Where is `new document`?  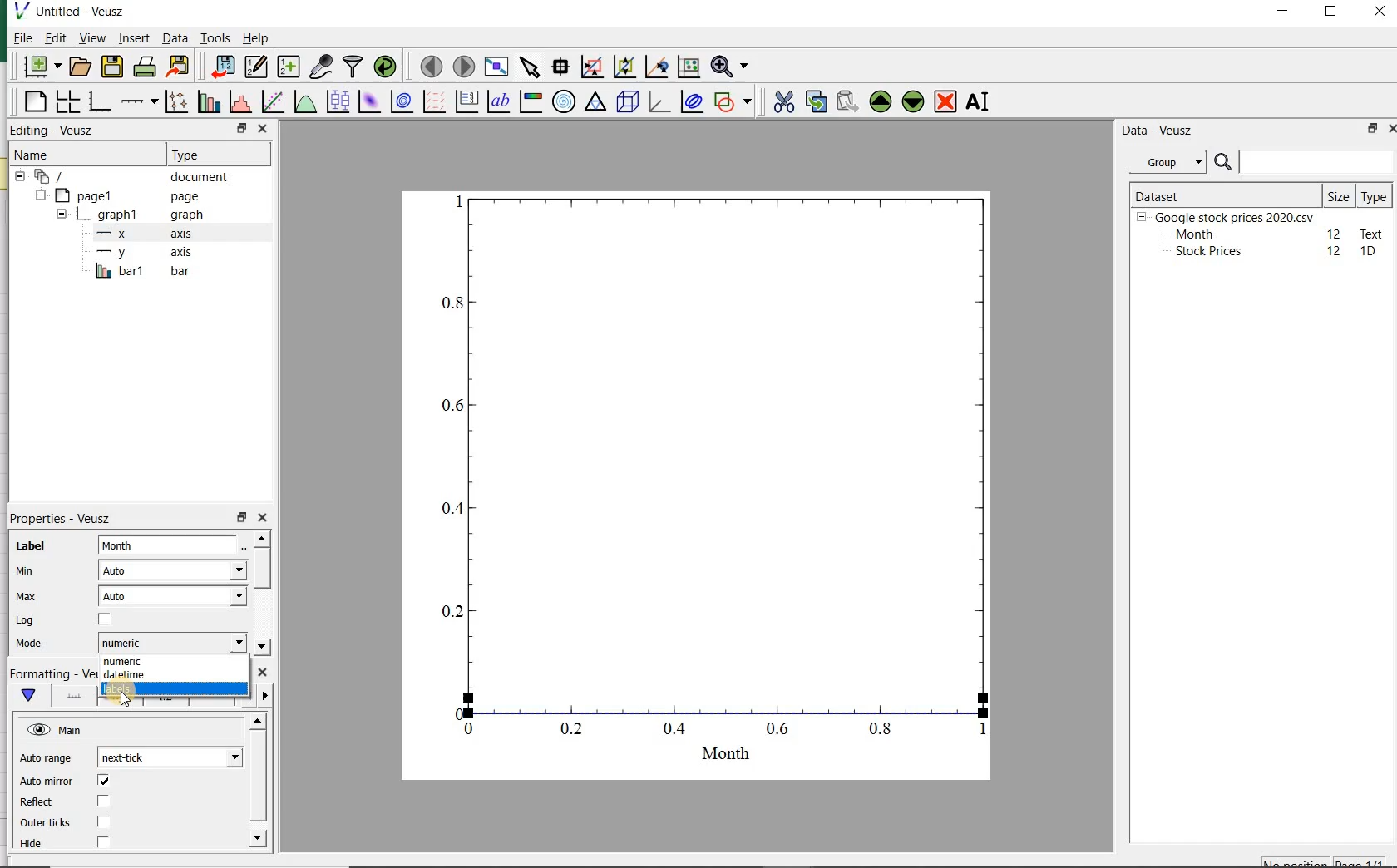
new document is located at coordinates (42, 67).